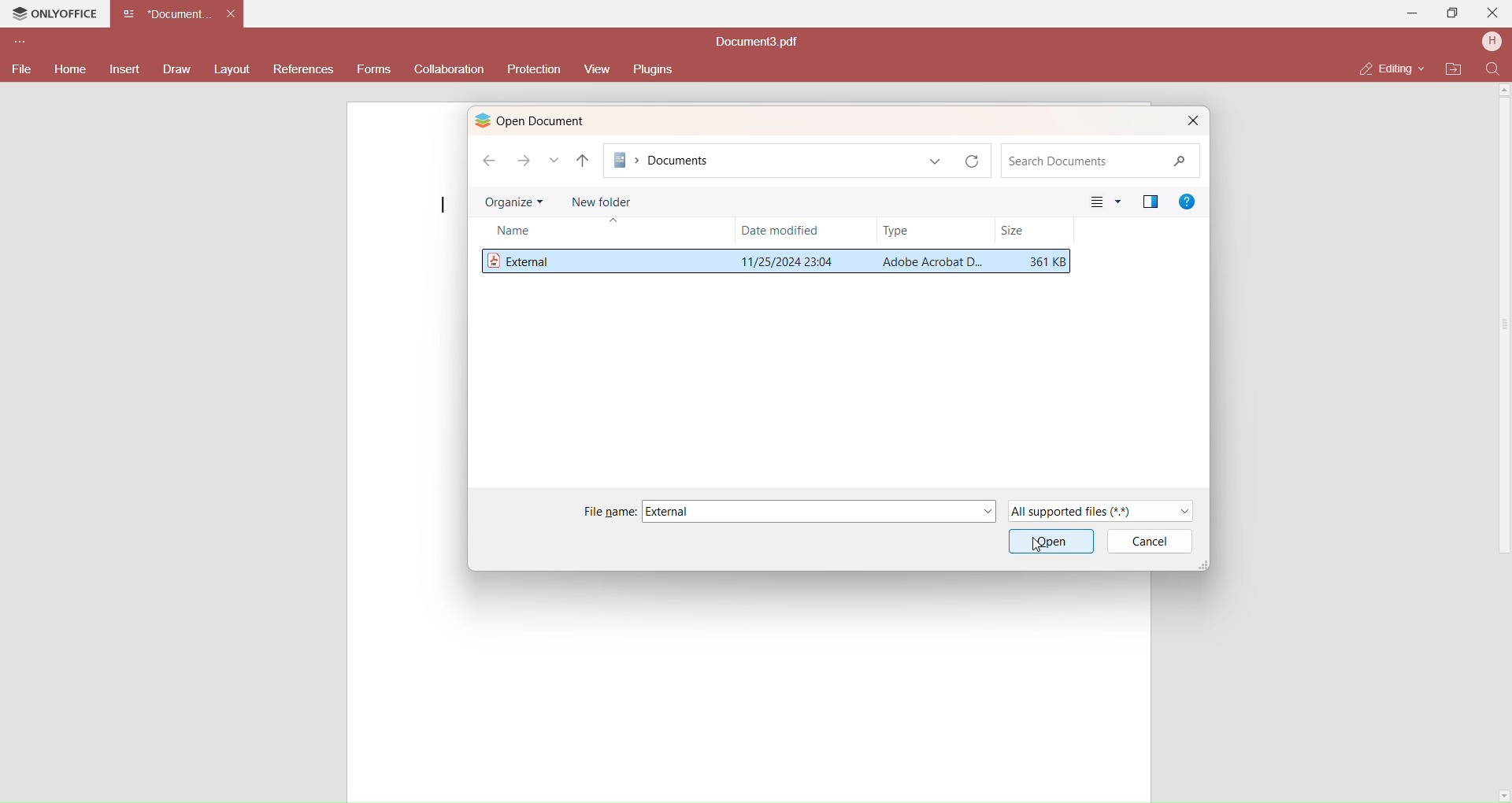 The height and width of the screenshot is (803, 1512). What do you see at coordinates (1493, 69) in the screenshot?
I see `Find` at bounding box center [1493, 69].